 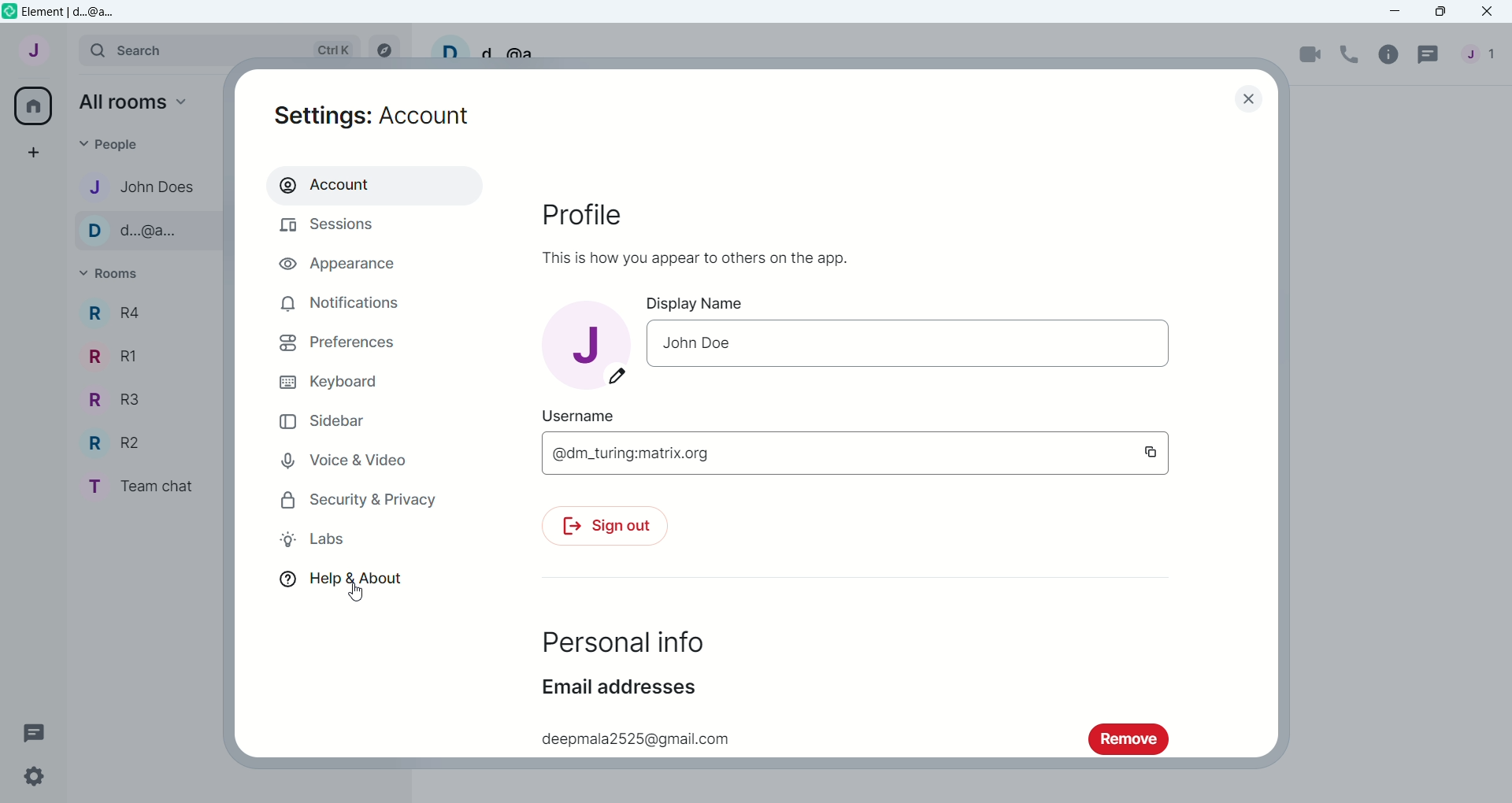 I want to click on Account, so click(x=328, y=184).